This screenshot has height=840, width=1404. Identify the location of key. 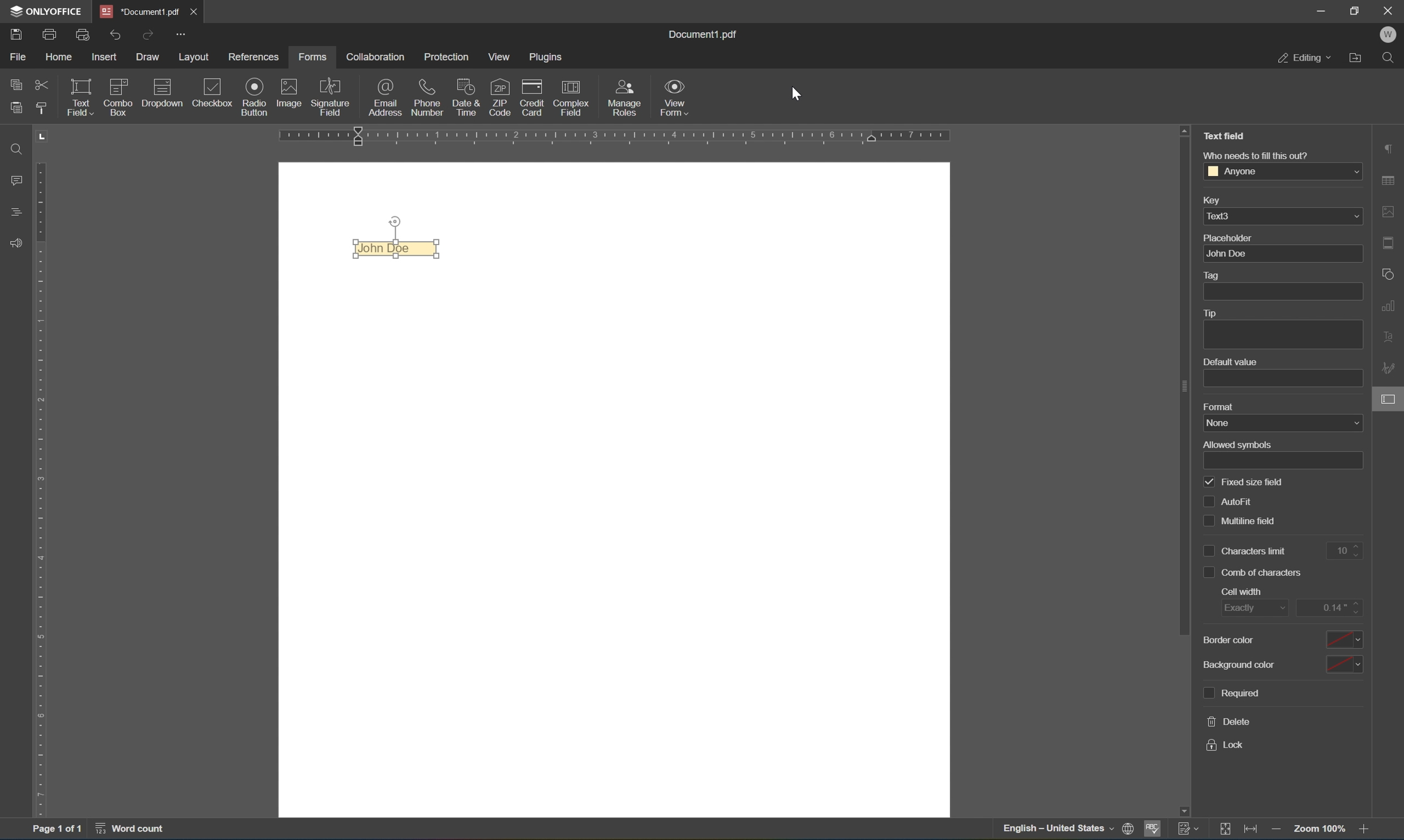
(1219, 200).